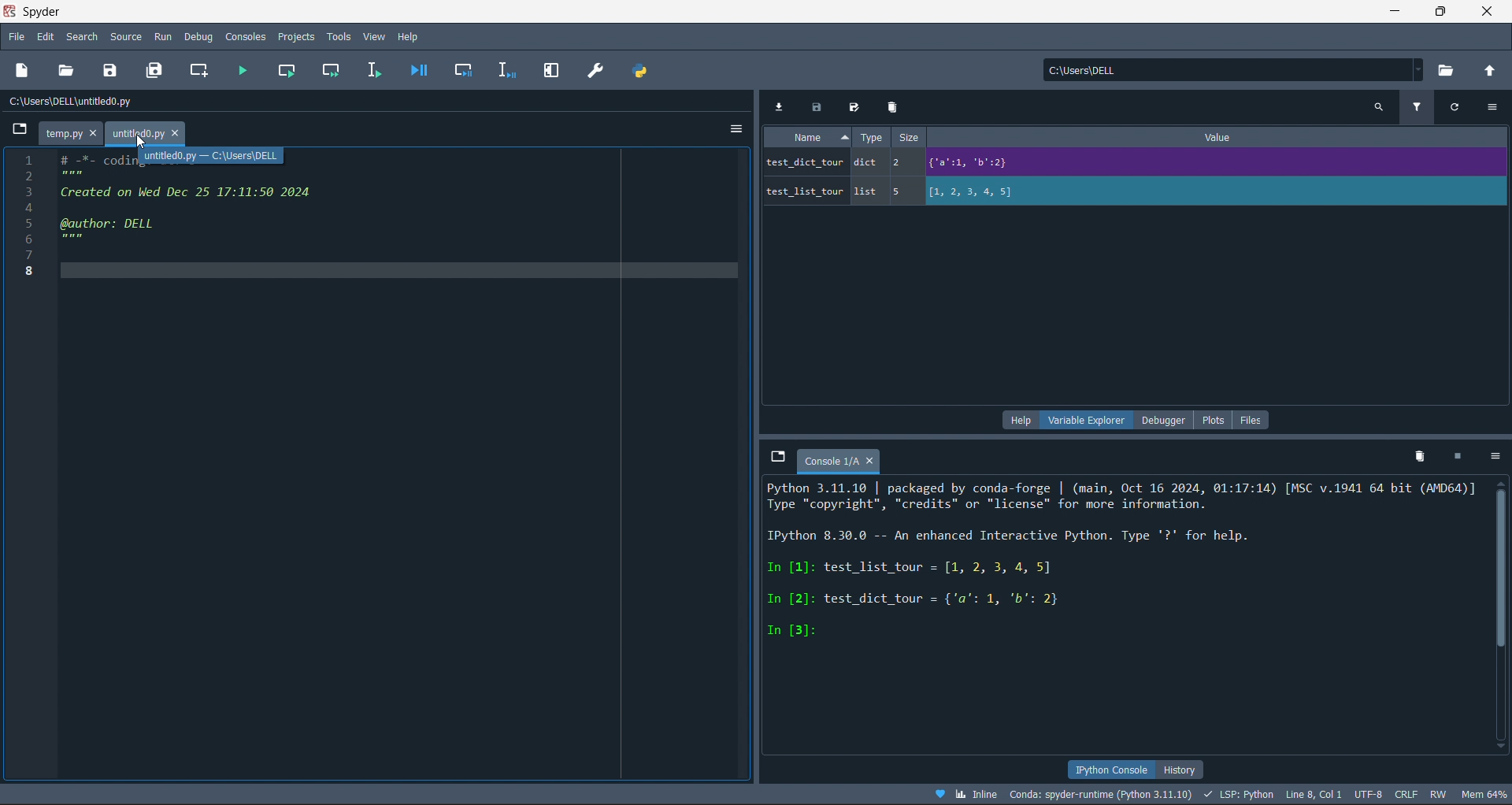 This screenshot has width=1512, height=805. I want to click on run cell, so click(288, 69).